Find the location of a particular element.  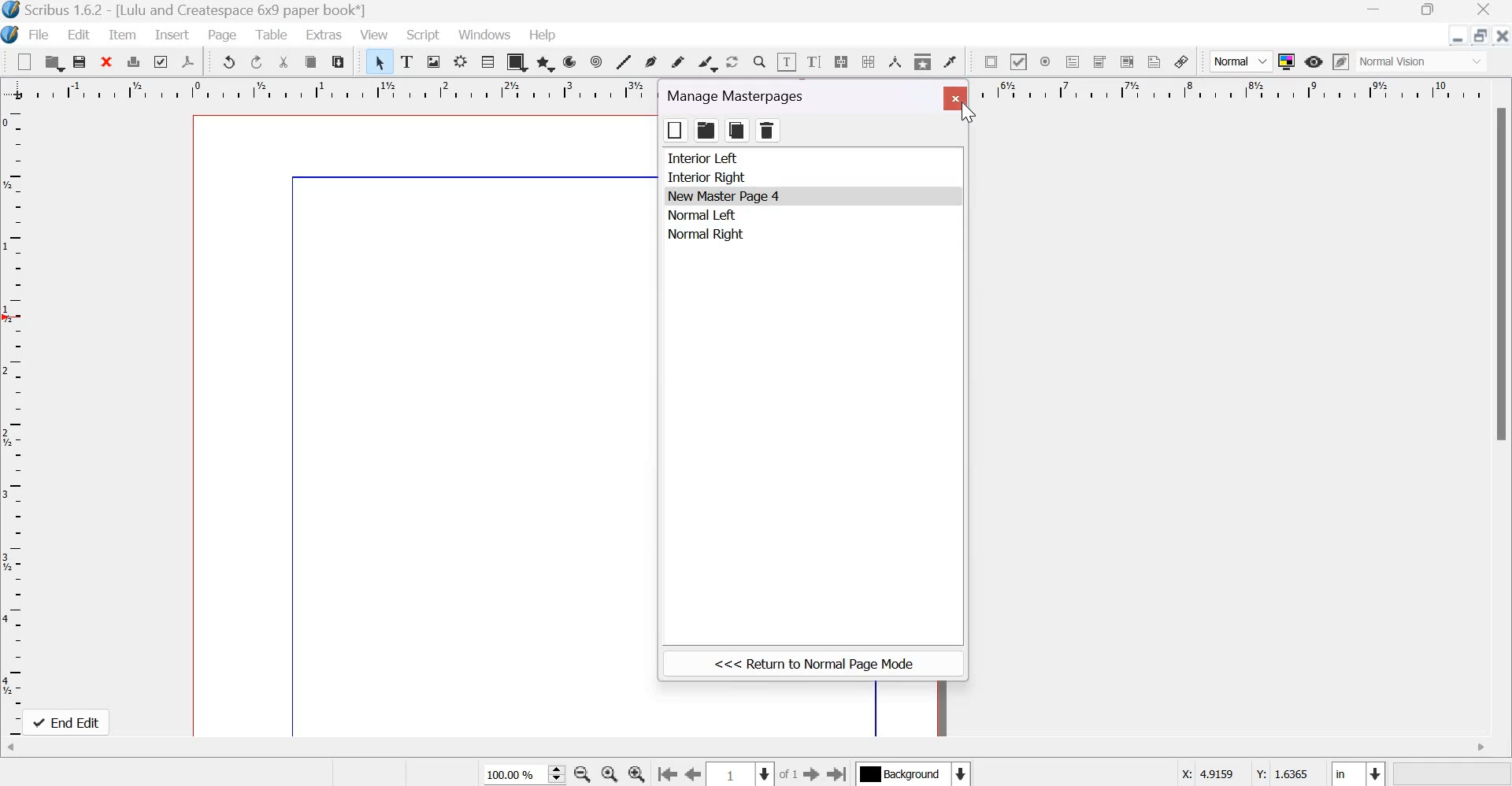

open is located at coordinates (54, 63).